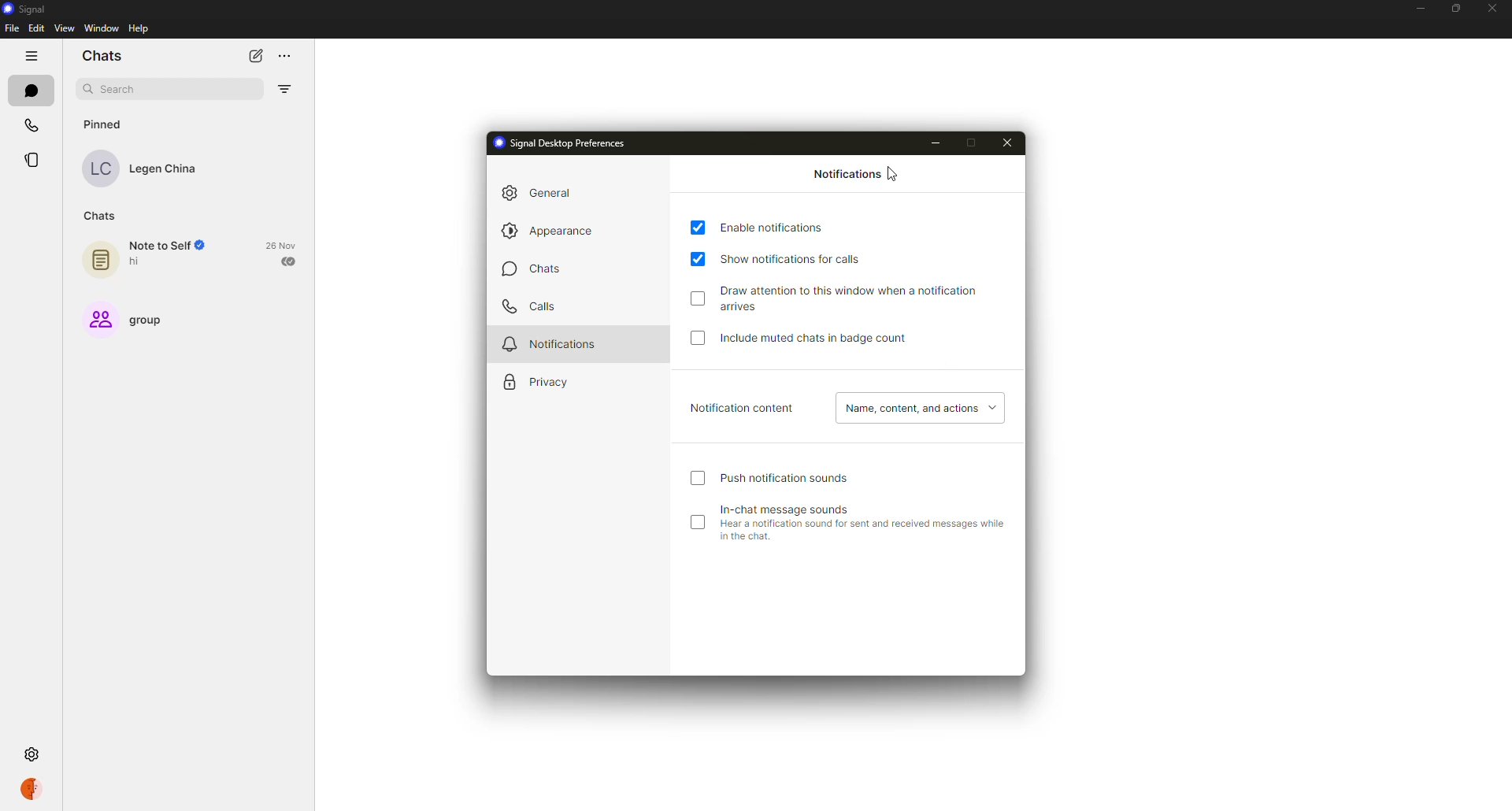 The height and width of the screenshot is (811, 1512). I want to click on calls, so click(30, 124).